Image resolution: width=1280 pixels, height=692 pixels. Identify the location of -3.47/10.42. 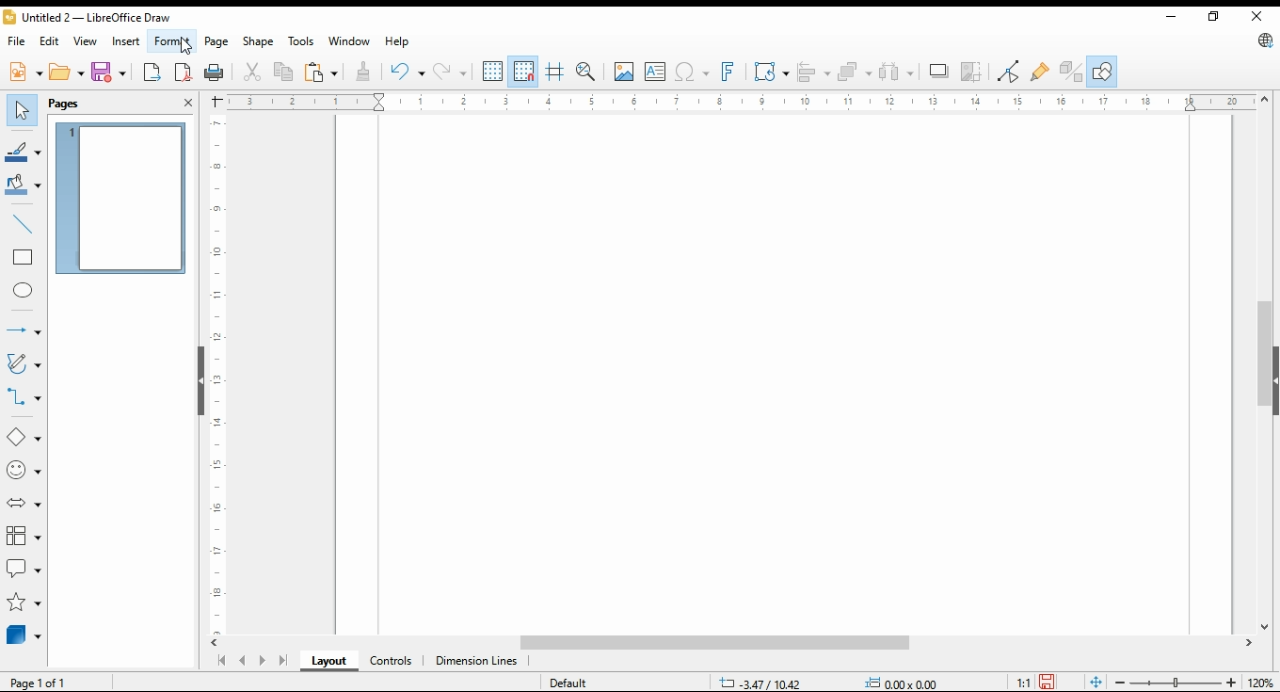
(760, 683).